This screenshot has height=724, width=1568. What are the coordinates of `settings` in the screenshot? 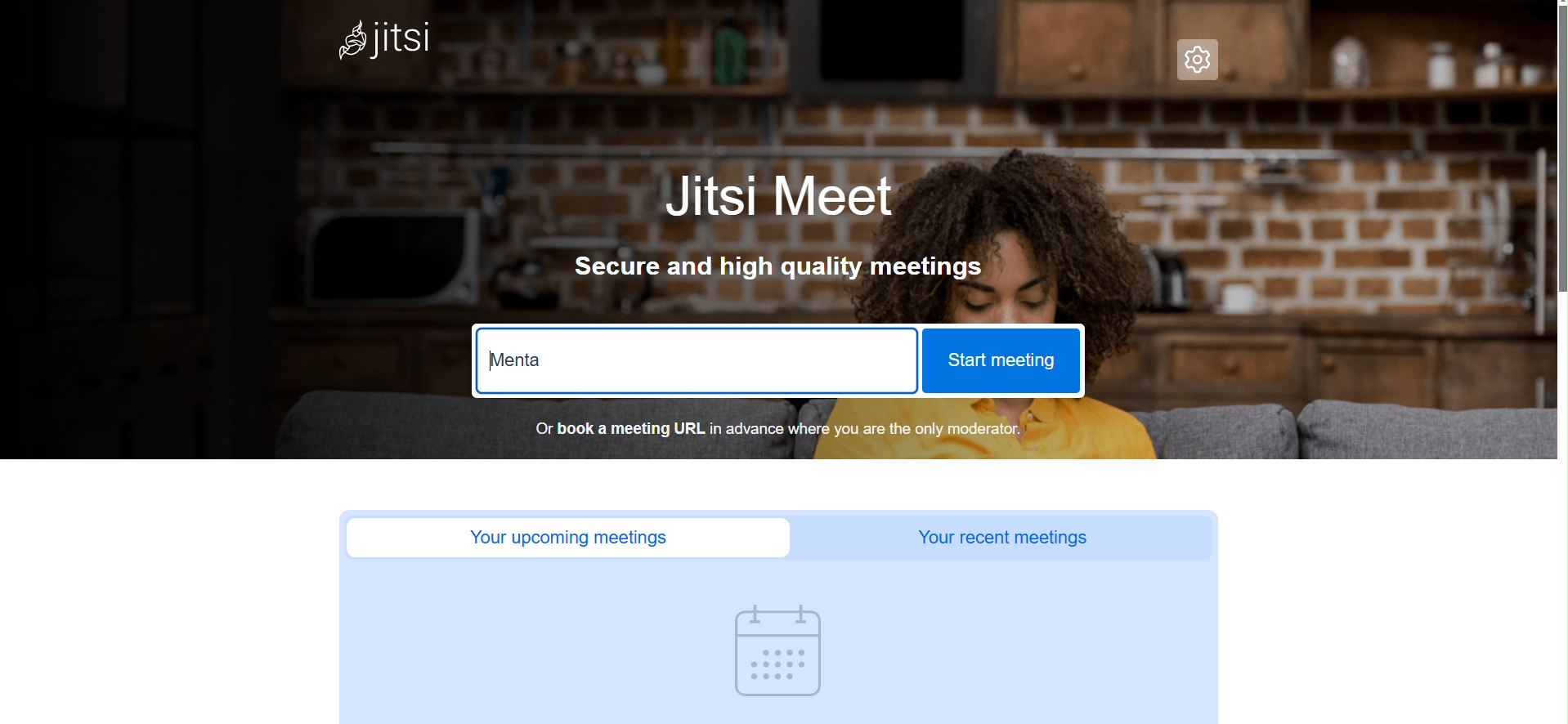 It's located at (1198, 62).